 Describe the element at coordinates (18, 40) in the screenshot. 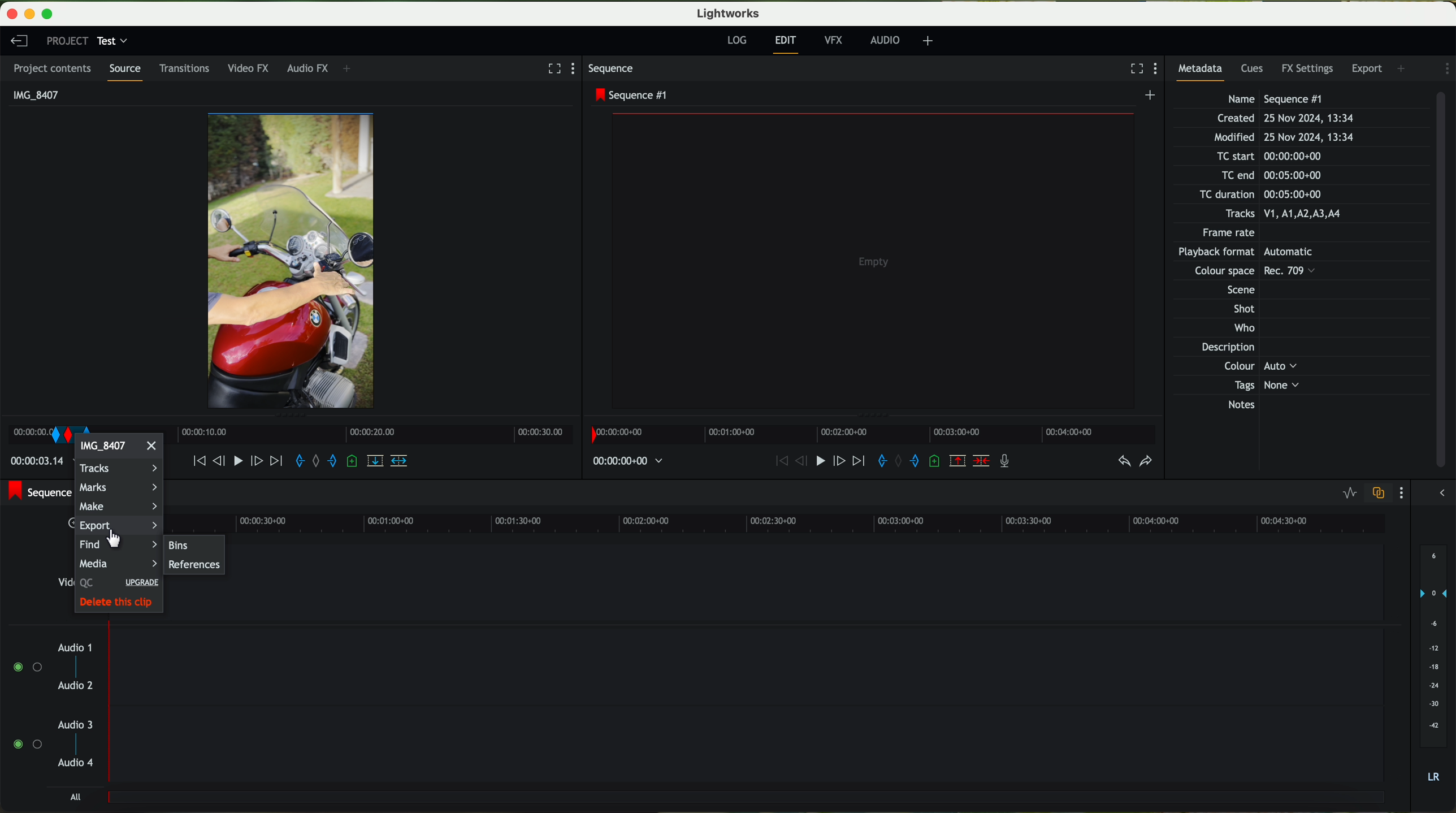

I see `leave` at that location.